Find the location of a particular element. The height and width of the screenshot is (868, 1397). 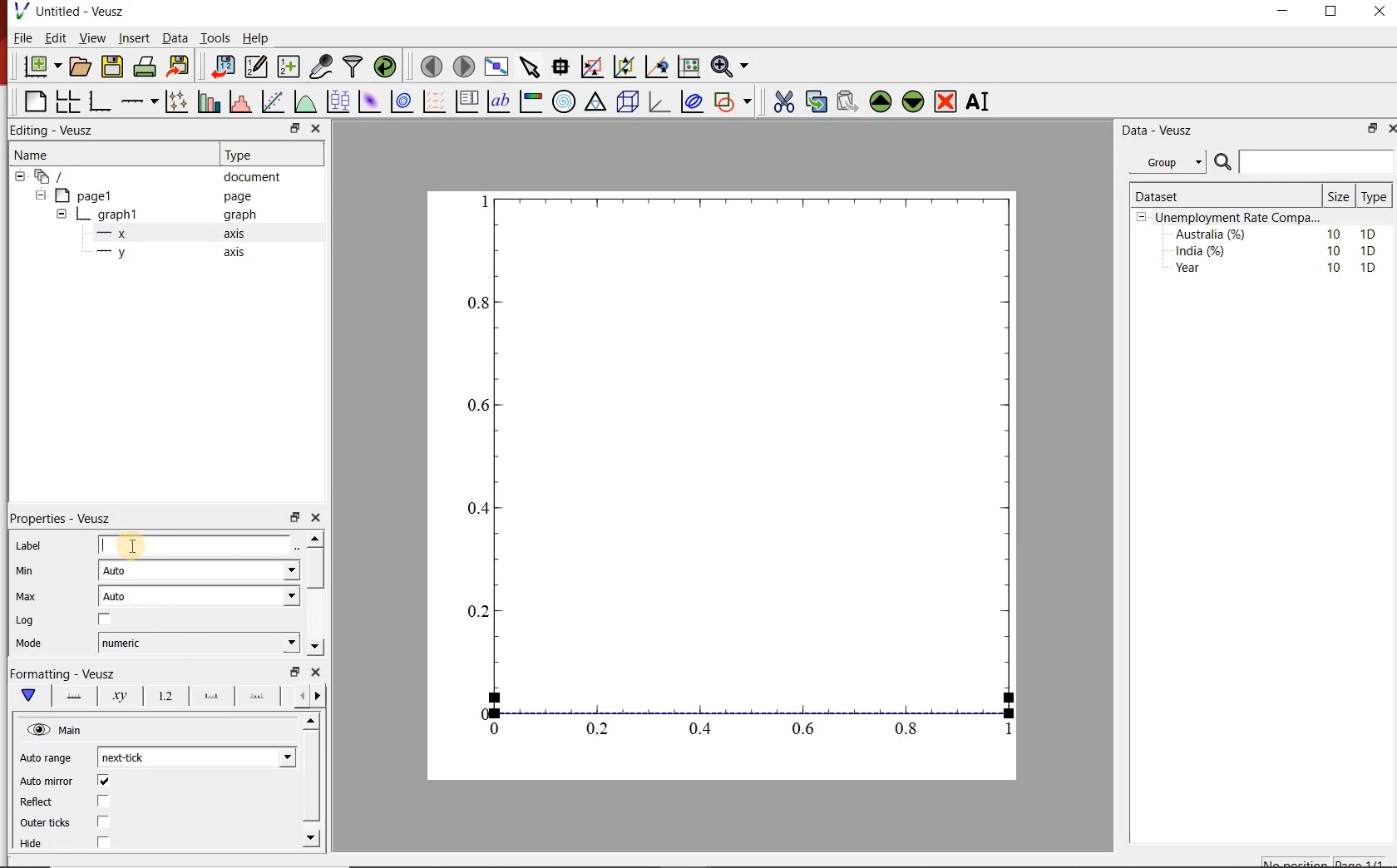

3d scenes is located at coordinates (625, 101).